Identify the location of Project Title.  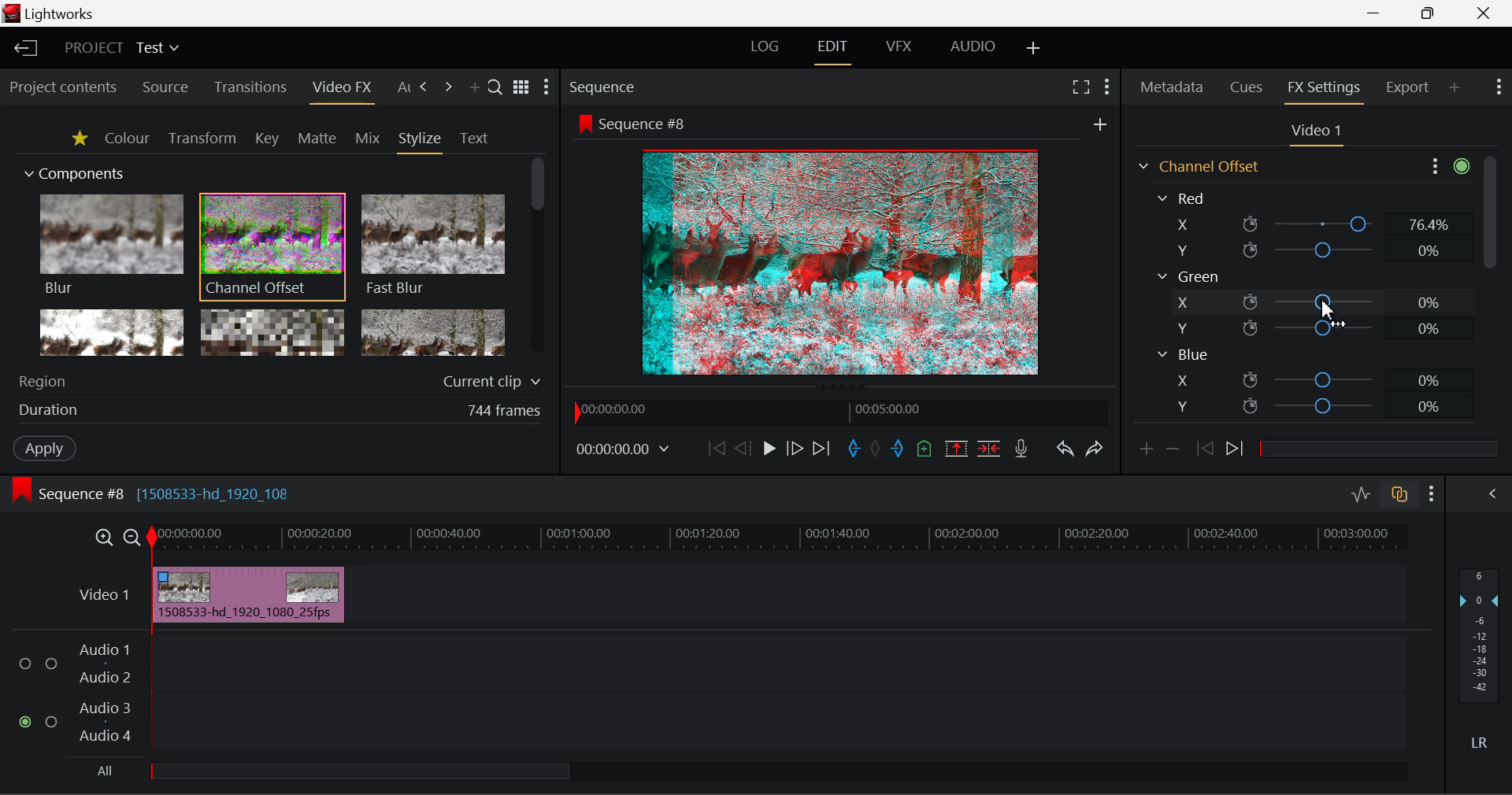
(121, 46).